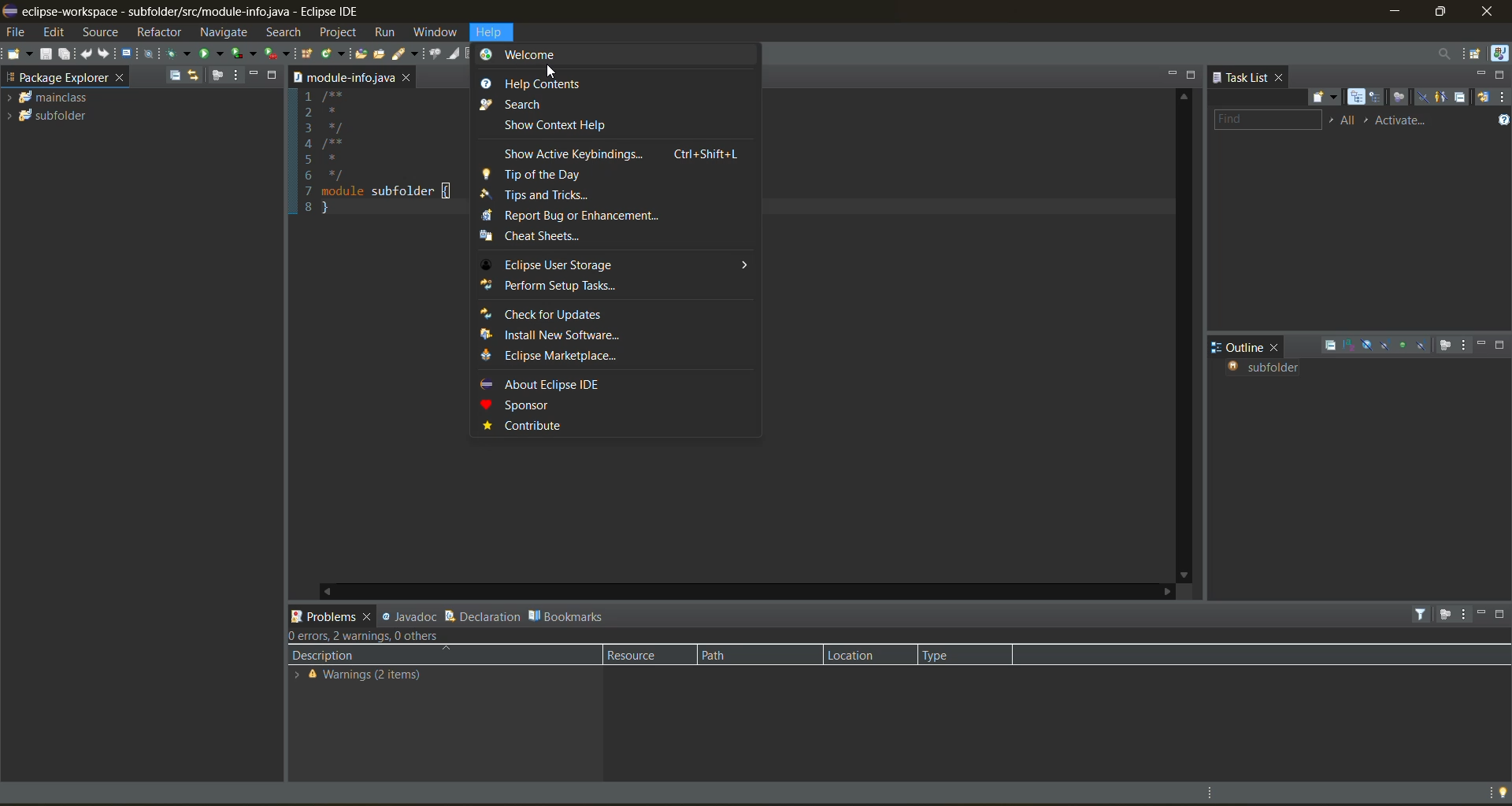  Describe the element at coordinates (14, 33) in the screenshot. I see `file` at that location.